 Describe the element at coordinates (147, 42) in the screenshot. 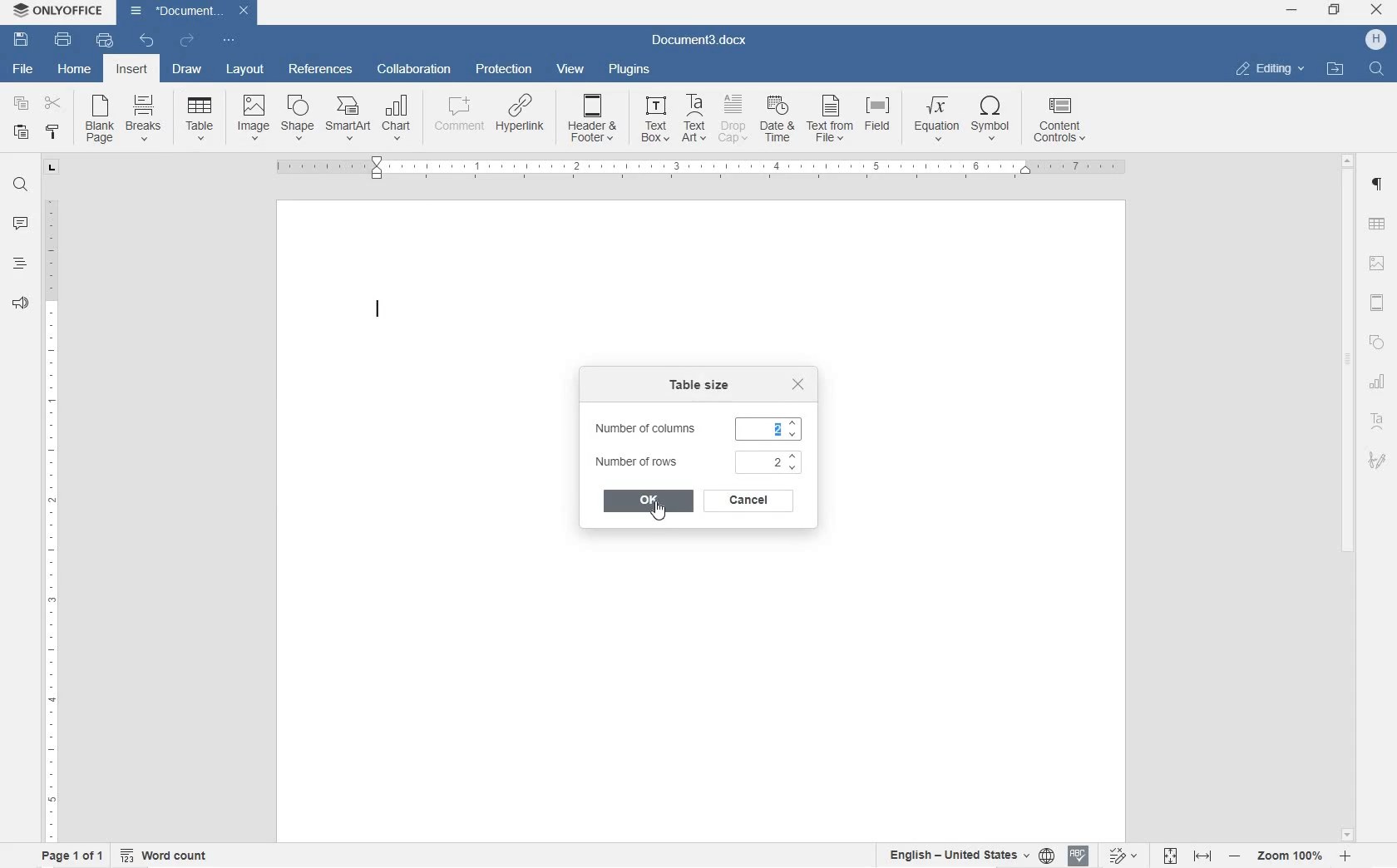

I see `UNDO` at that location.